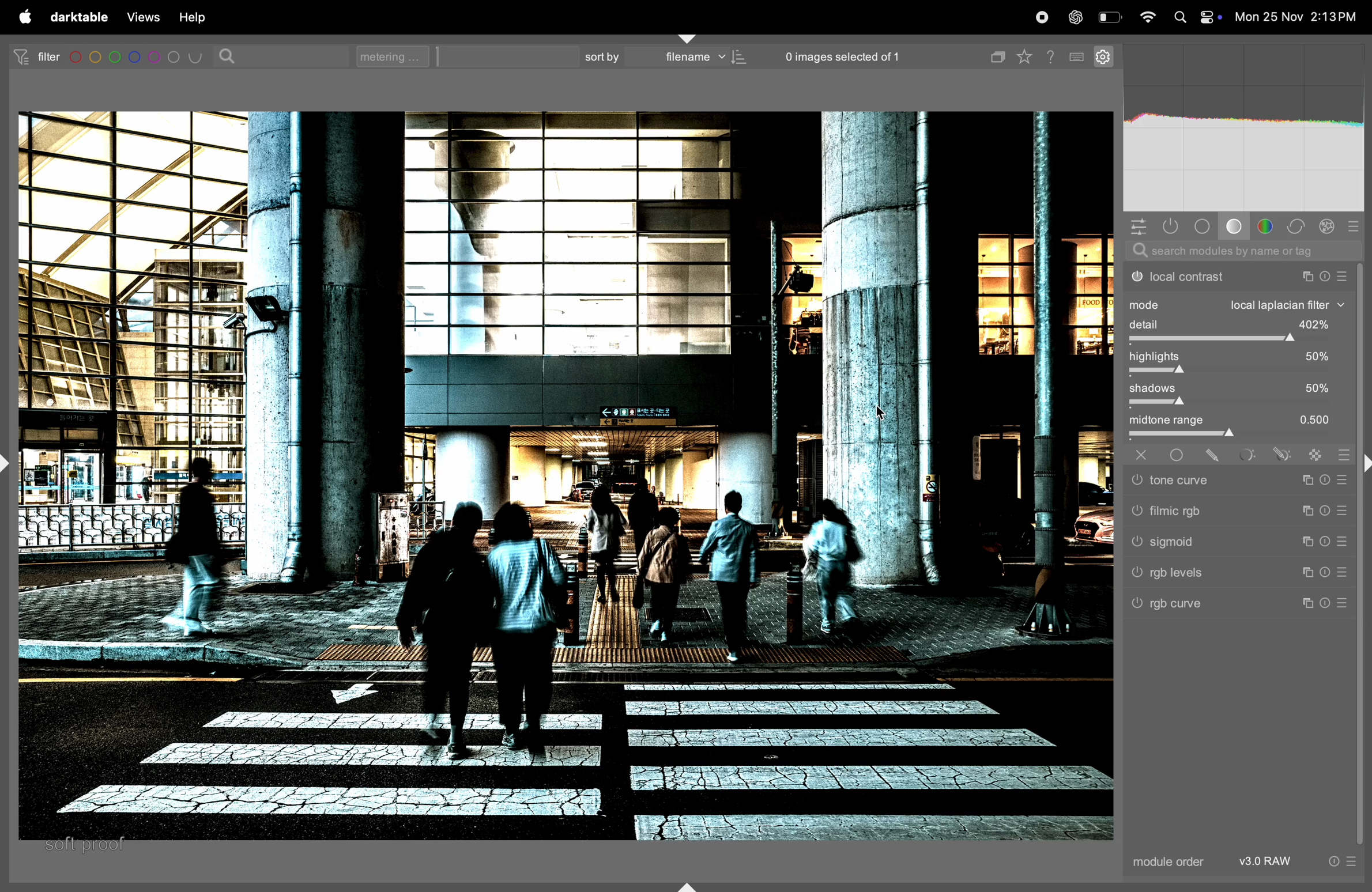 The image size is (1372, 892). What do you see at coordinates (1231, 606) in the screenshot?
I see `rgb curve` at bounding box center [1231, 606].